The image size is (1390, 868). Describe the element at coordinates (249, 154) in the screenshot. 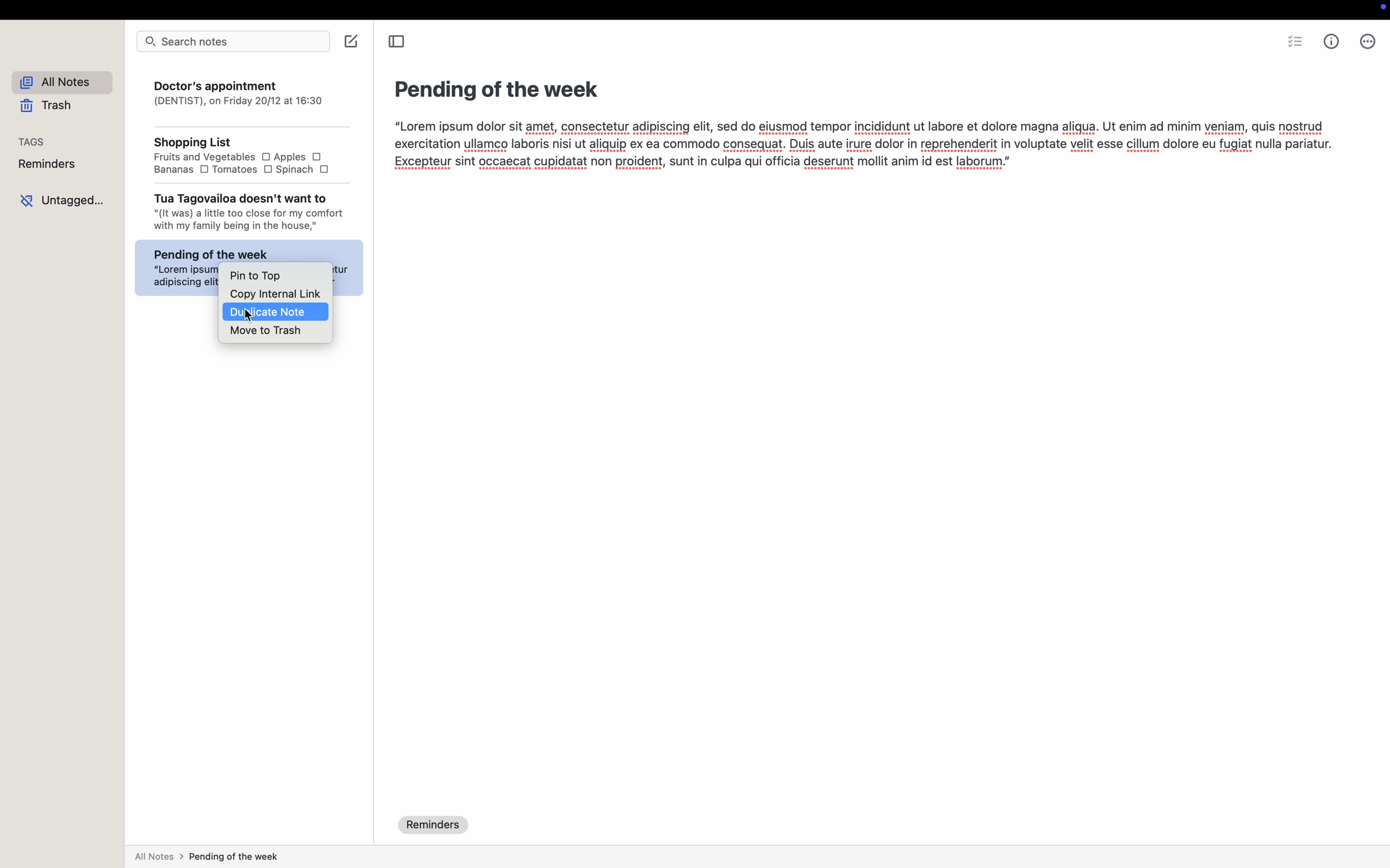

I see `Shopping List
Fruits and Vegetables OO Apples O
Bananas O Tomatoes O Spinach O` at that location.